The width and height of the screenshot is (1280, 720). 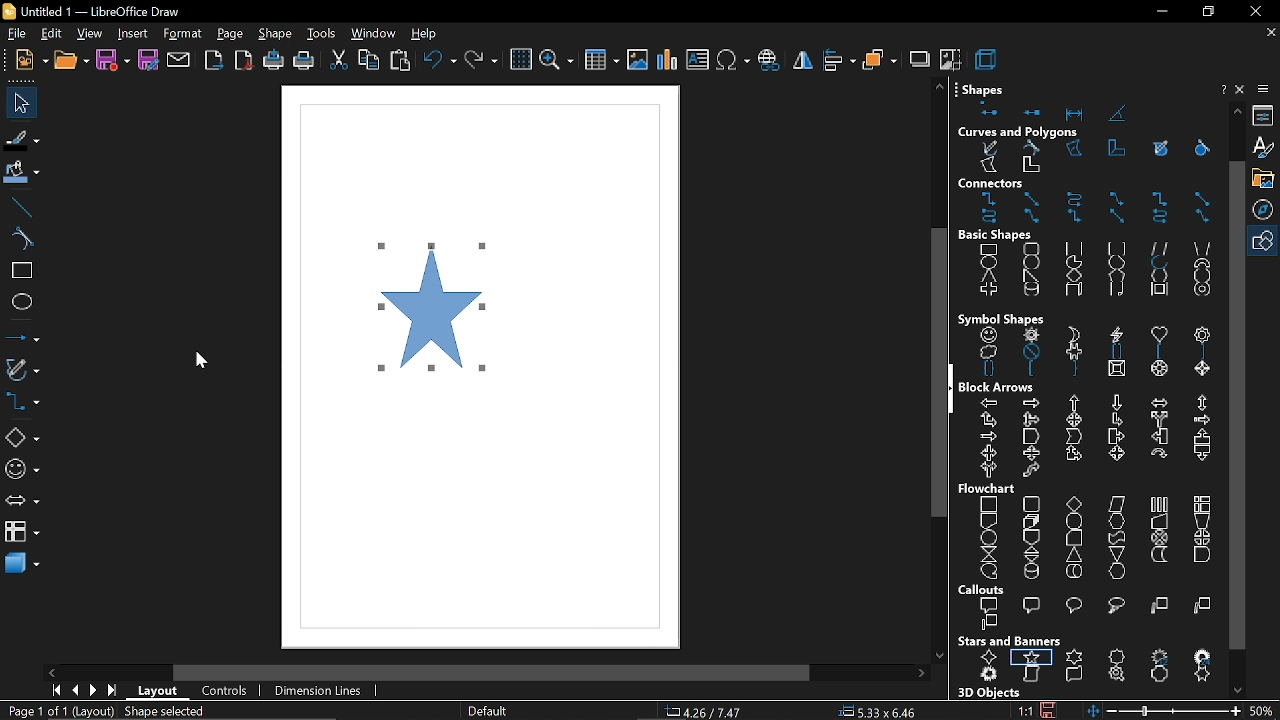 I want to click on copy, so click(x=368, y=61).